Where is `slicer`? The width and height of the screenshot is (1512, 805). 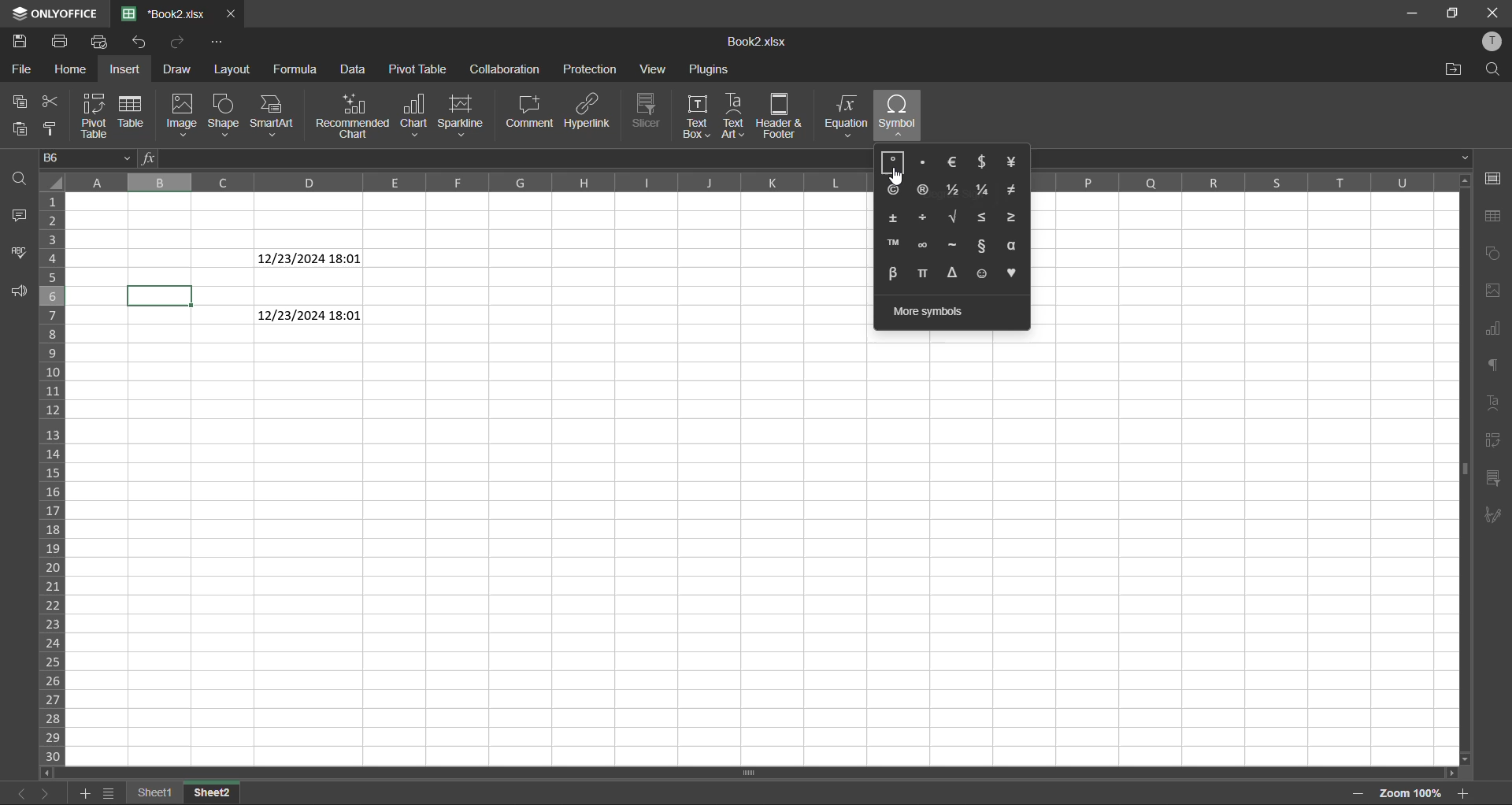
slicer is located at coordinates (1495, 480).